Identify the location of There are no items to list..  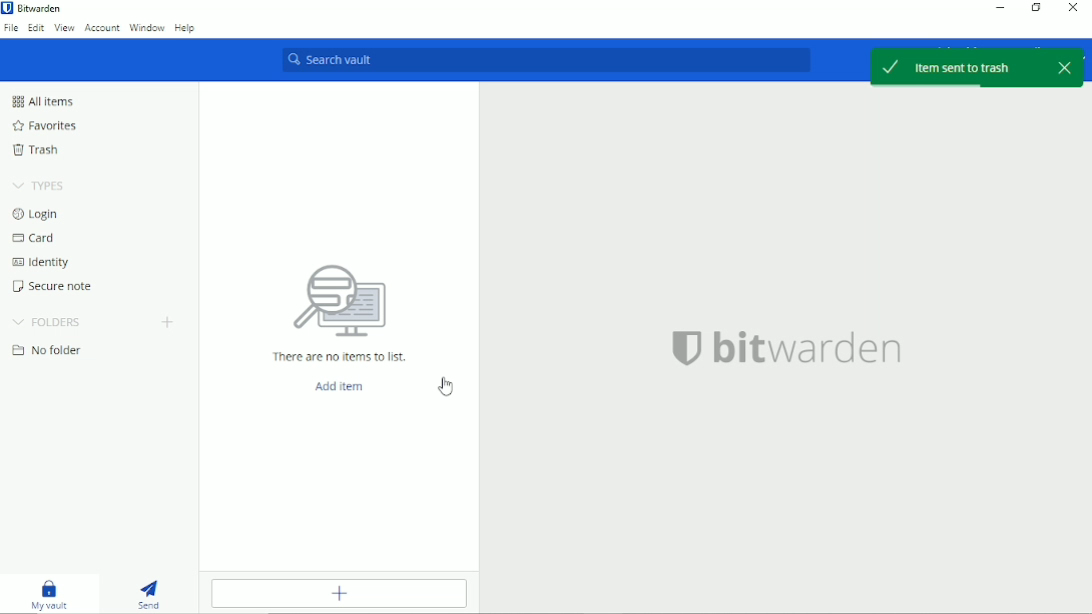
(341, 359).